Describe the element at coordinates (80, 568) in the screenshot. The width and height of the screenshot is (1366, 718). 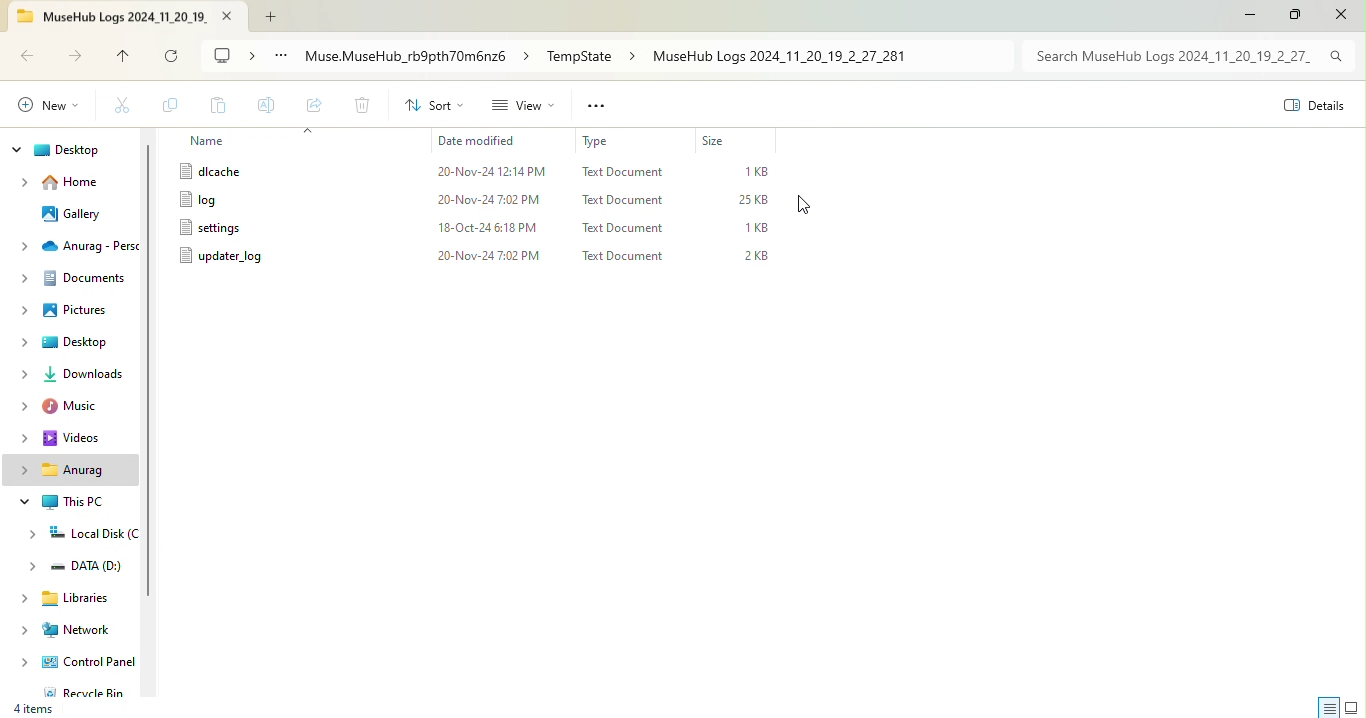
I see `DATA (D:)` at that location.